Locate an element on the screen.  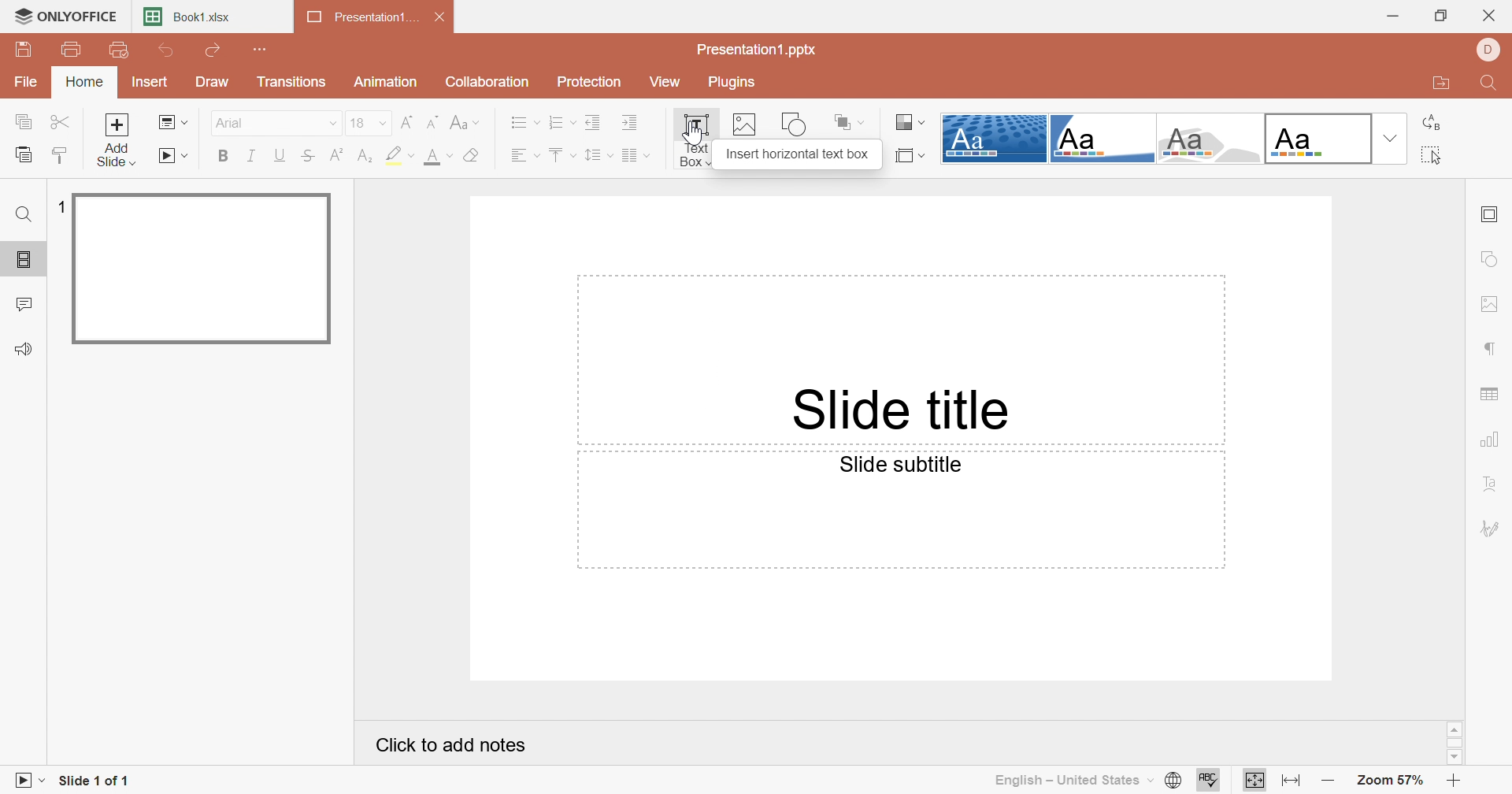
Restore down is located at coordinates (1441, 13).